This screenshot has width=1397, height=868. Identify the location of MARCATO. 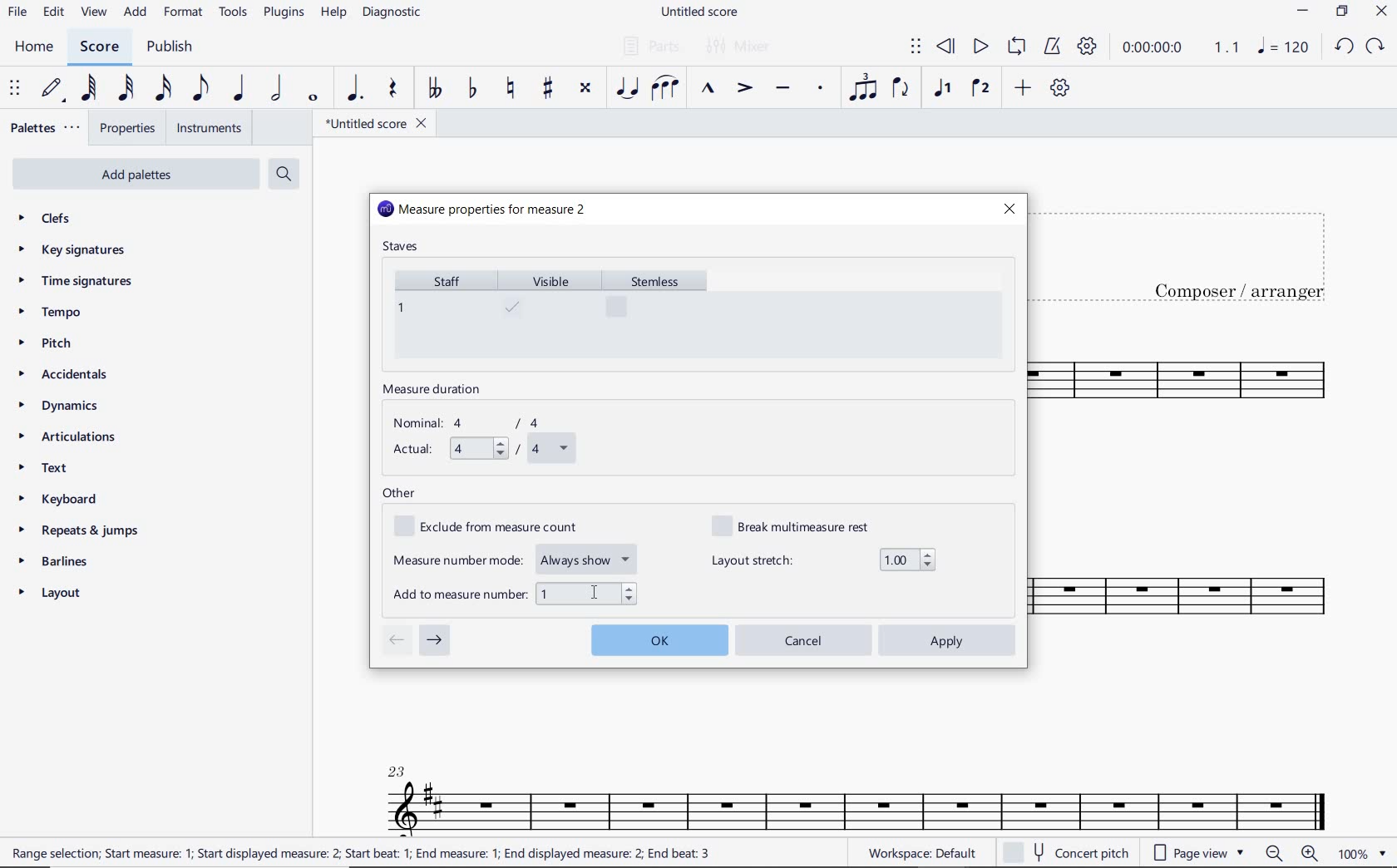
(706, 90).